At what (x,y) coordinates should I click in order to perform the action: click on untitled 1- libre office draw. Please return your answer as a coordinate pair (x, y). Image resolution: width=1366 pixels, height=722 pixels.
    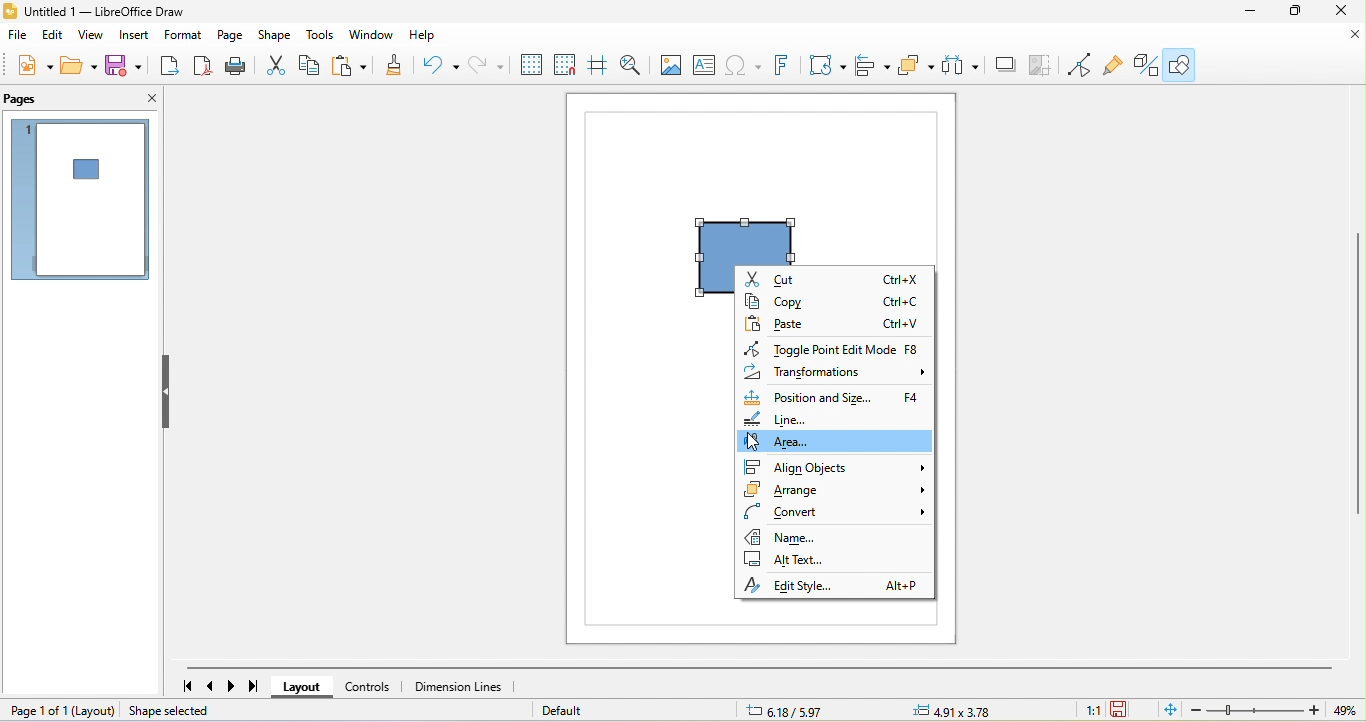
    Looking at the image, I should click on (102, 13).